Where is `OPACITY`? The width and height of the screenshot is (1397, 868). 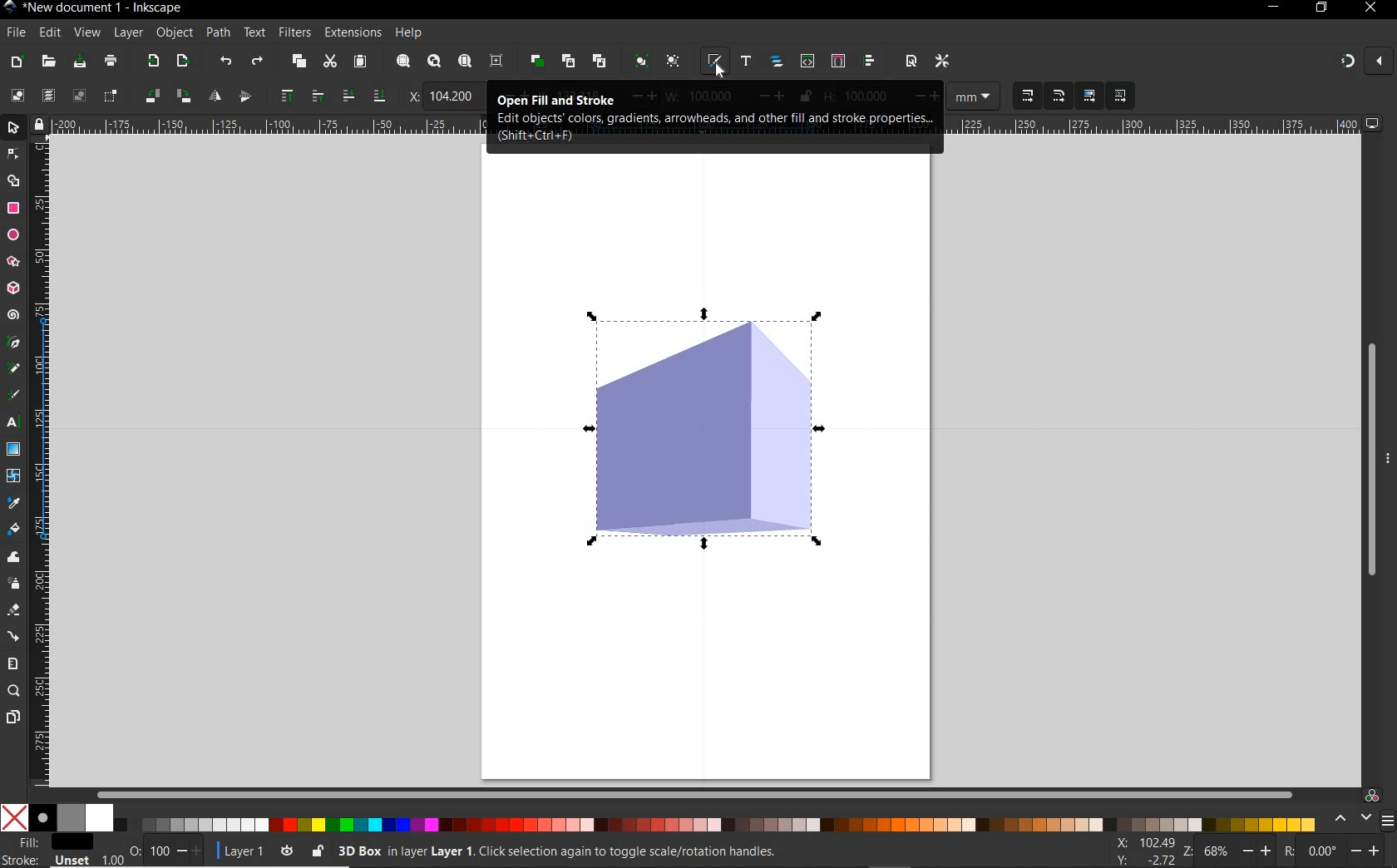
OPACITY is located at coordinates (134, 847).